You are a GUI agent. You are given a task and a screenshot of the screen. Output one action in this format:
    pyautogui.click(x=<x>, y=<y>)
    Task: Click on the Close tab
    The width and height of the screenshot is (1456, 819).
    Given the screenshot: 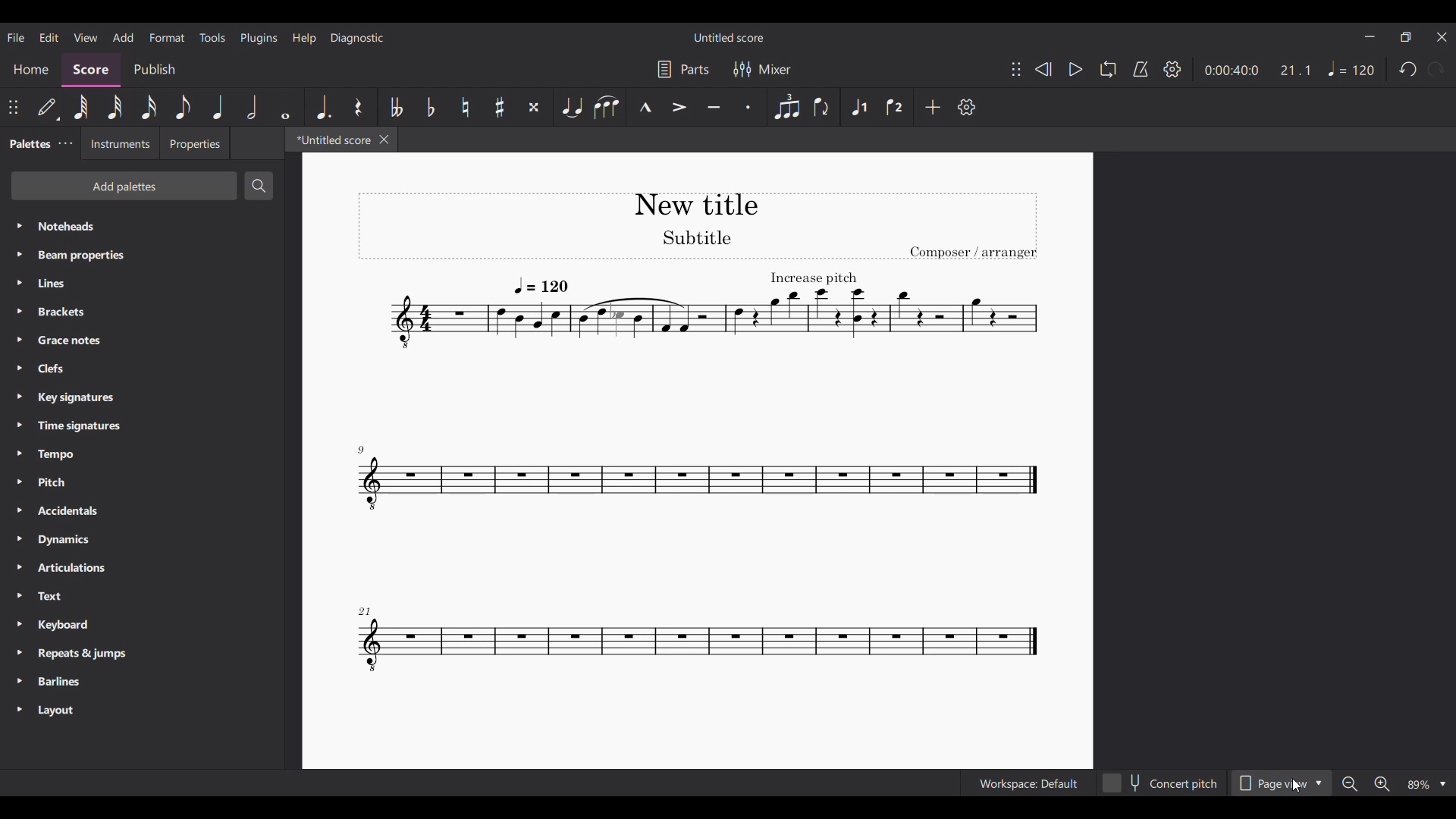 What is the action you would take?
    pyautogui.click(x=384, y=140)
    